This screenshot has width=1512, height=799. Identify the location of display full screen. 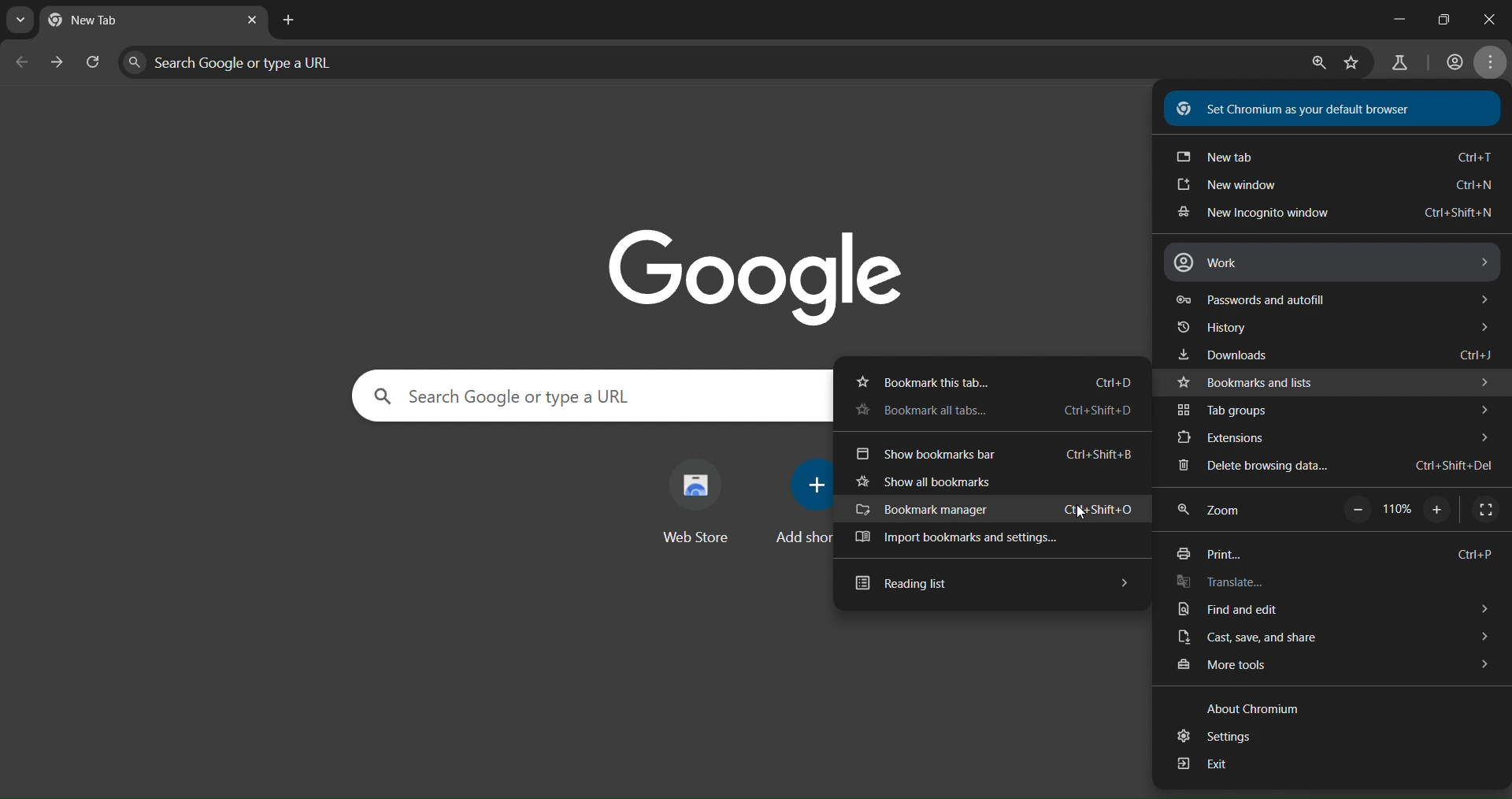
(1483, 511).